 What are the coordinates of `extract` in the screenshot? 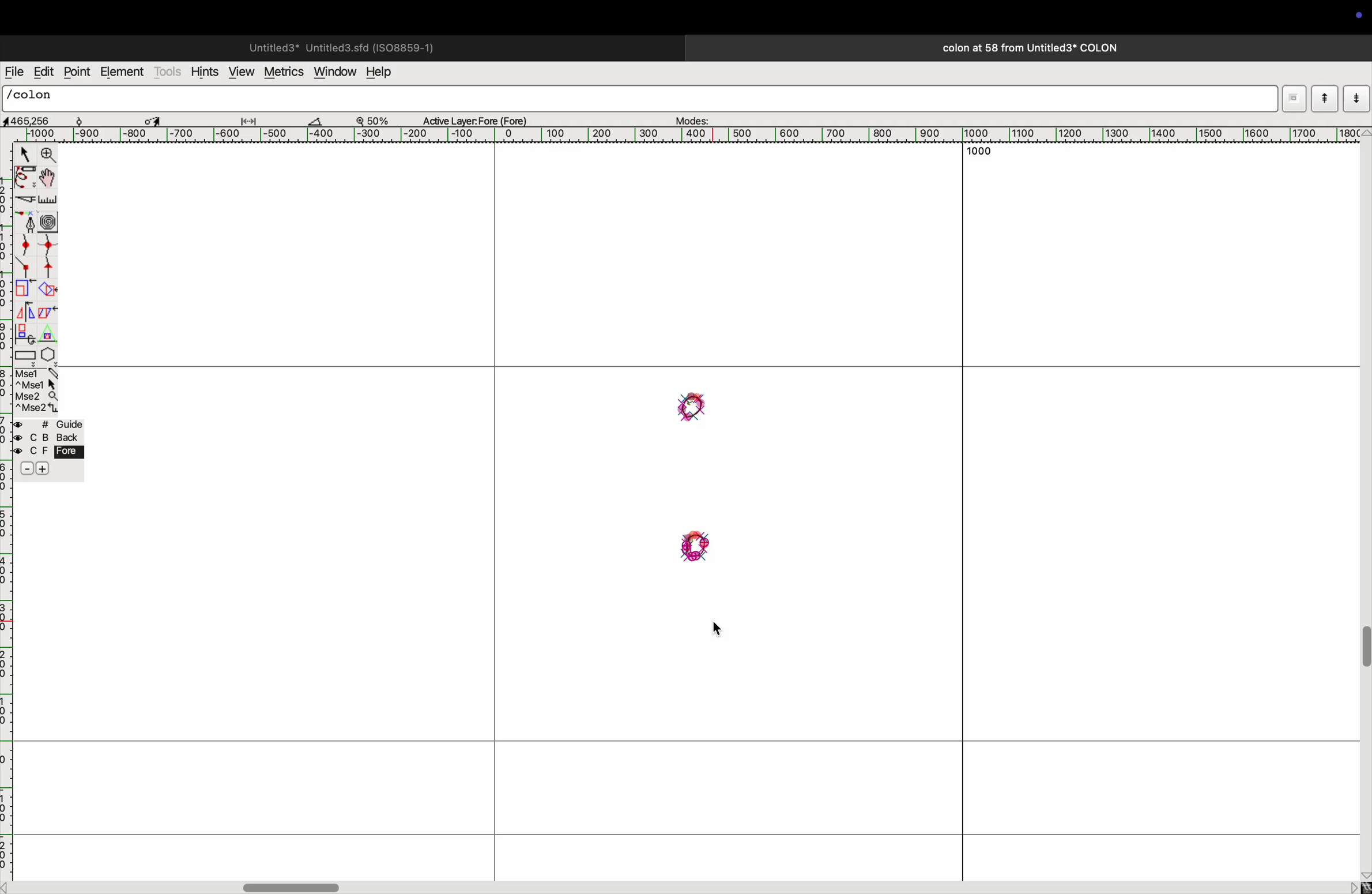 It's located at (47, 290).